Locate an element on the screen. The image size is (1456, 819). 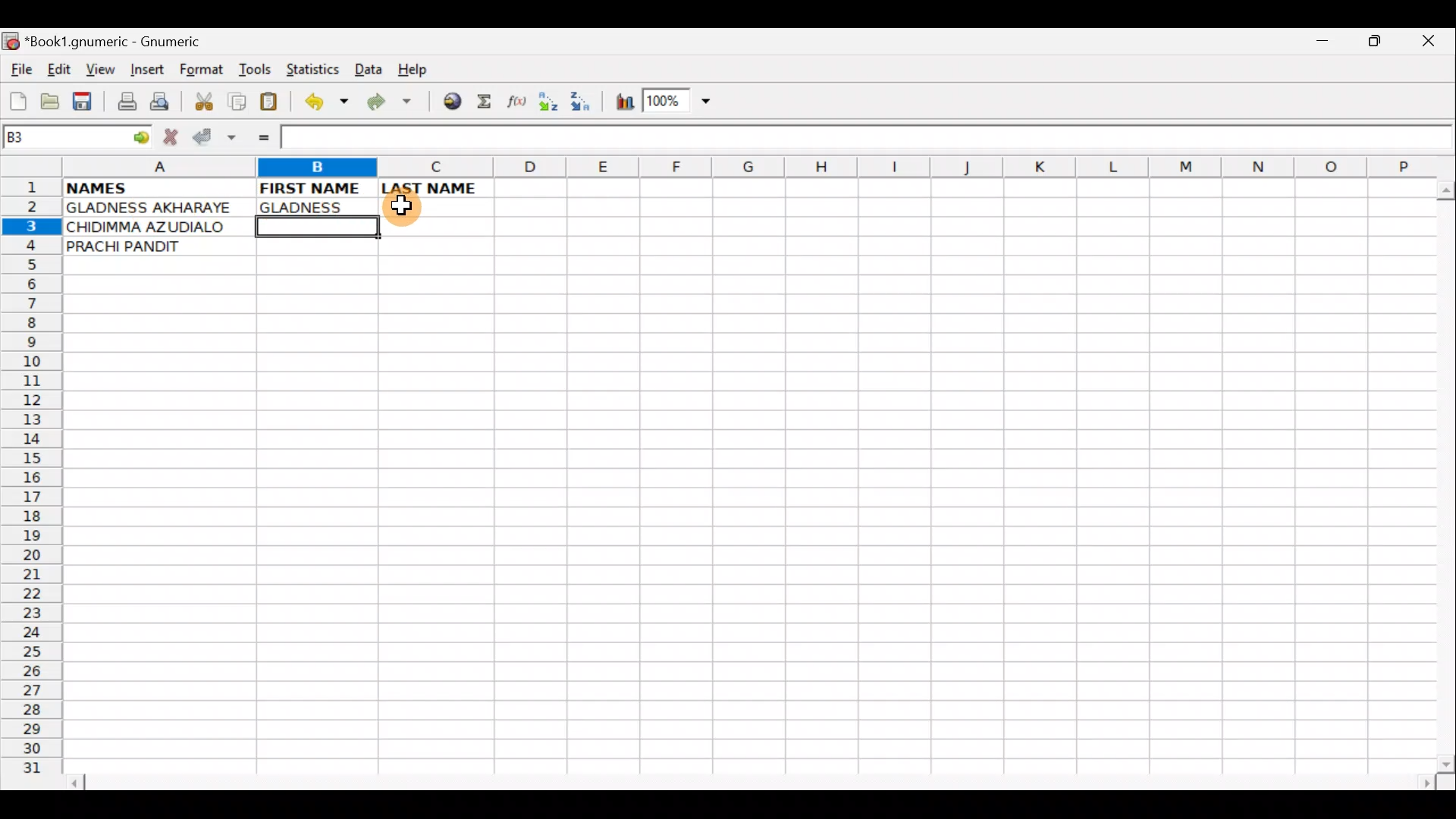
FIRST NAME is located at coordinates (311, 188).